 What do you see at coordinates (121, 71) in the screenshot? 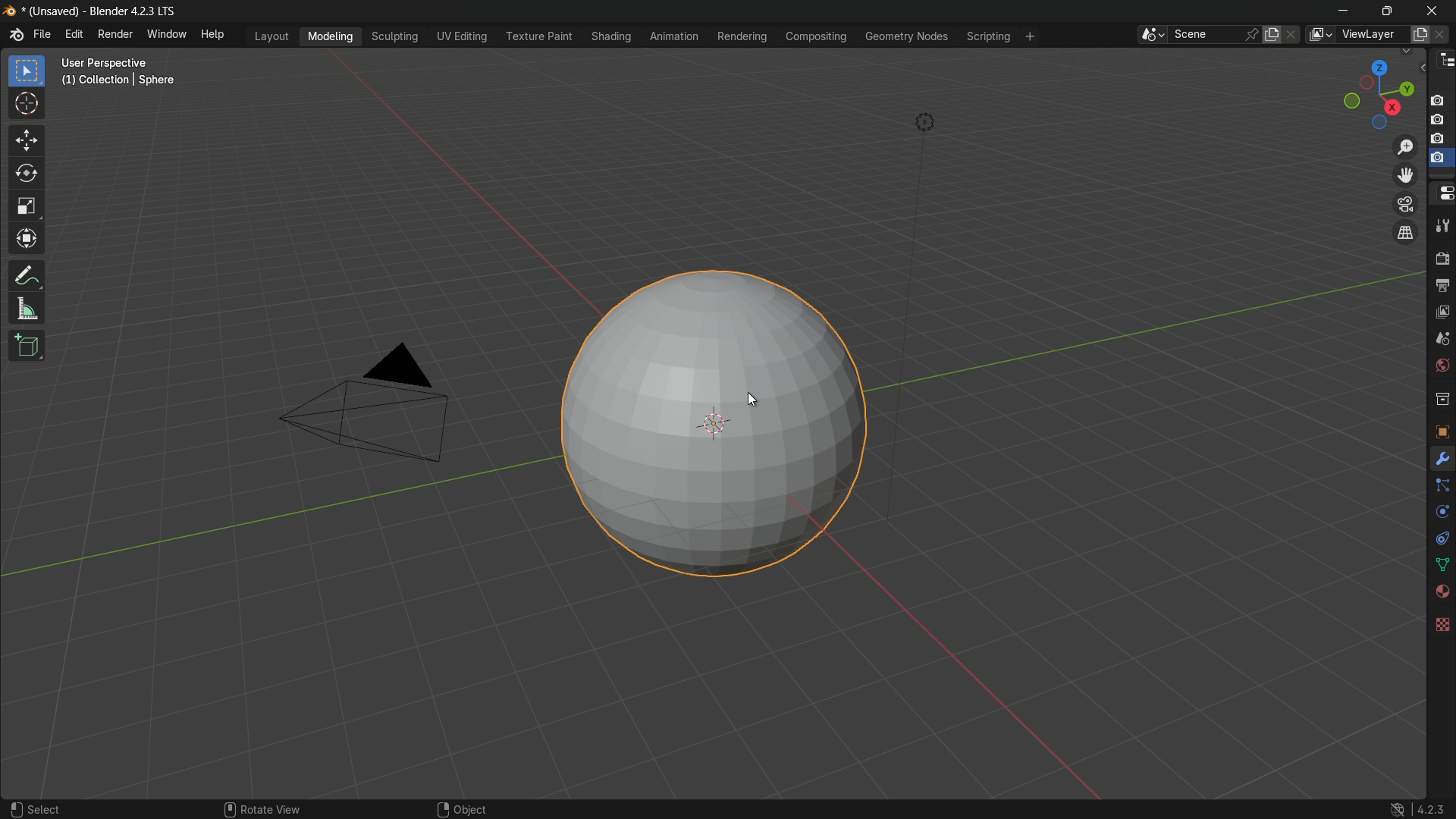
I see `user perspective (1) collection | sphere` at bounding box center [121, 71].